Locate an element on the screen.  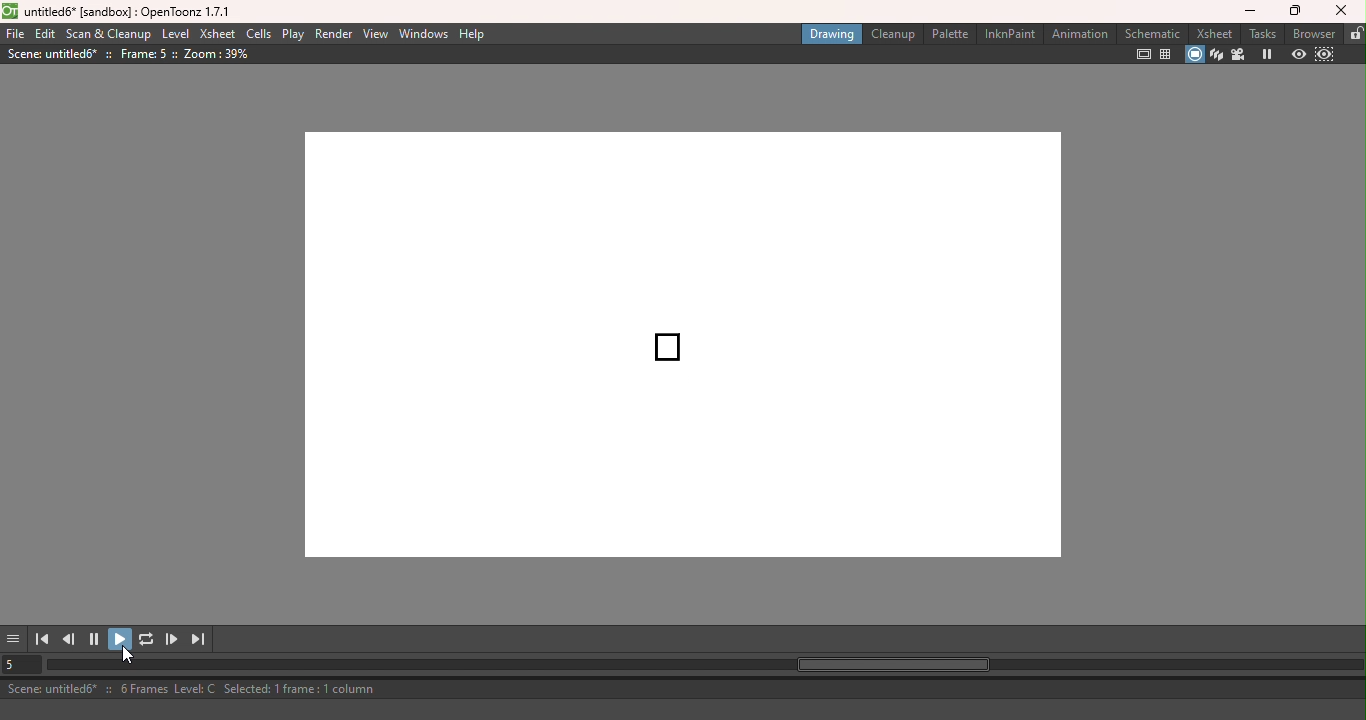
Freeze is located at coordinates (1269, 54).